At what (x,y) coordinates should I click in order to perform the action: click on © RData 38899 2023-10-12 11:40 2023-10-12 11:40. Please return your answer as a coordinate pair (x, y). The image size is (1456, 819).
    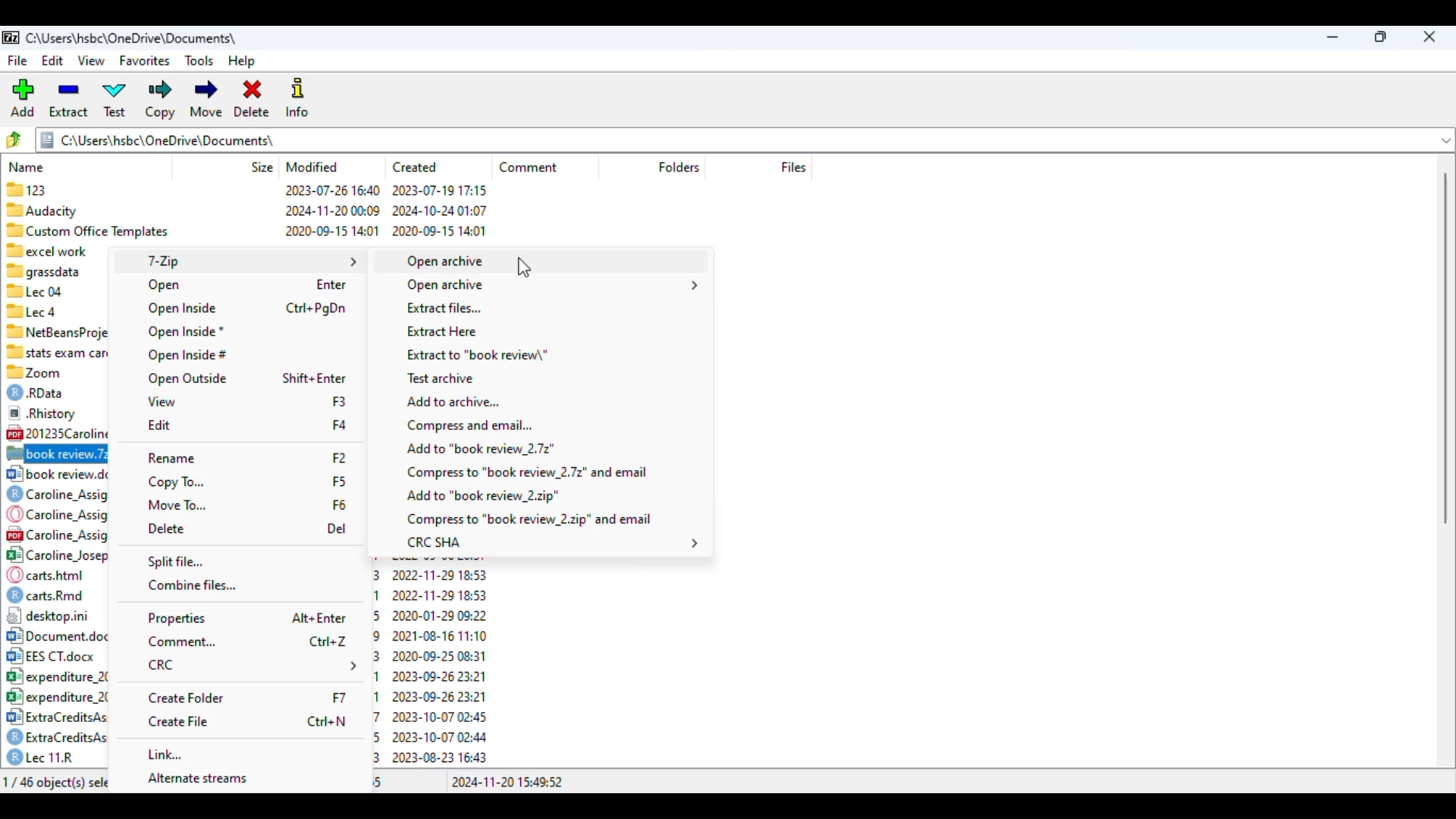
    Looking at the image, I should click on (53, 391).